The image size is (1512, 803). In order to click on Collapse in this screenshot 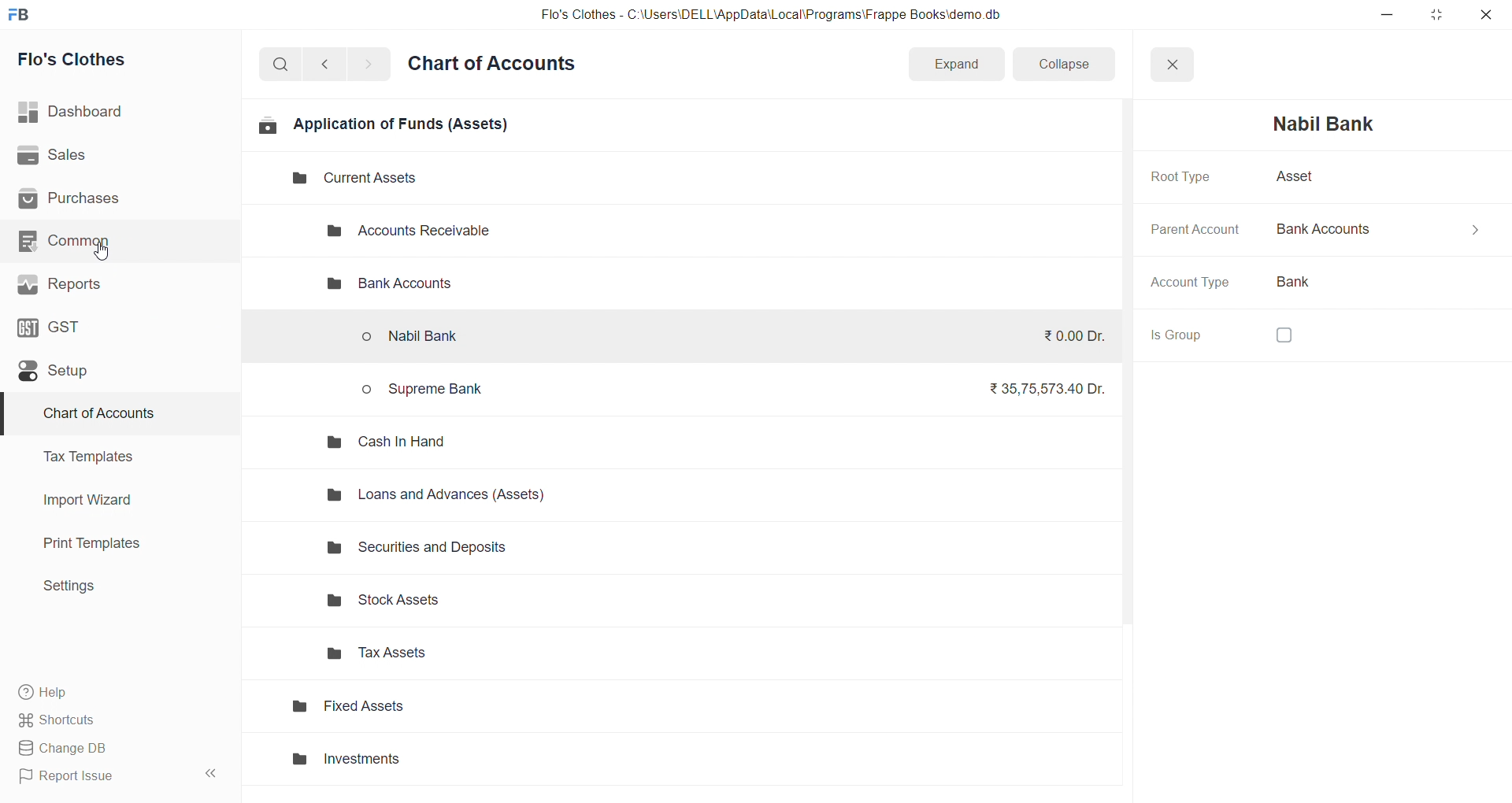, I will do `click(1064, 62)`.